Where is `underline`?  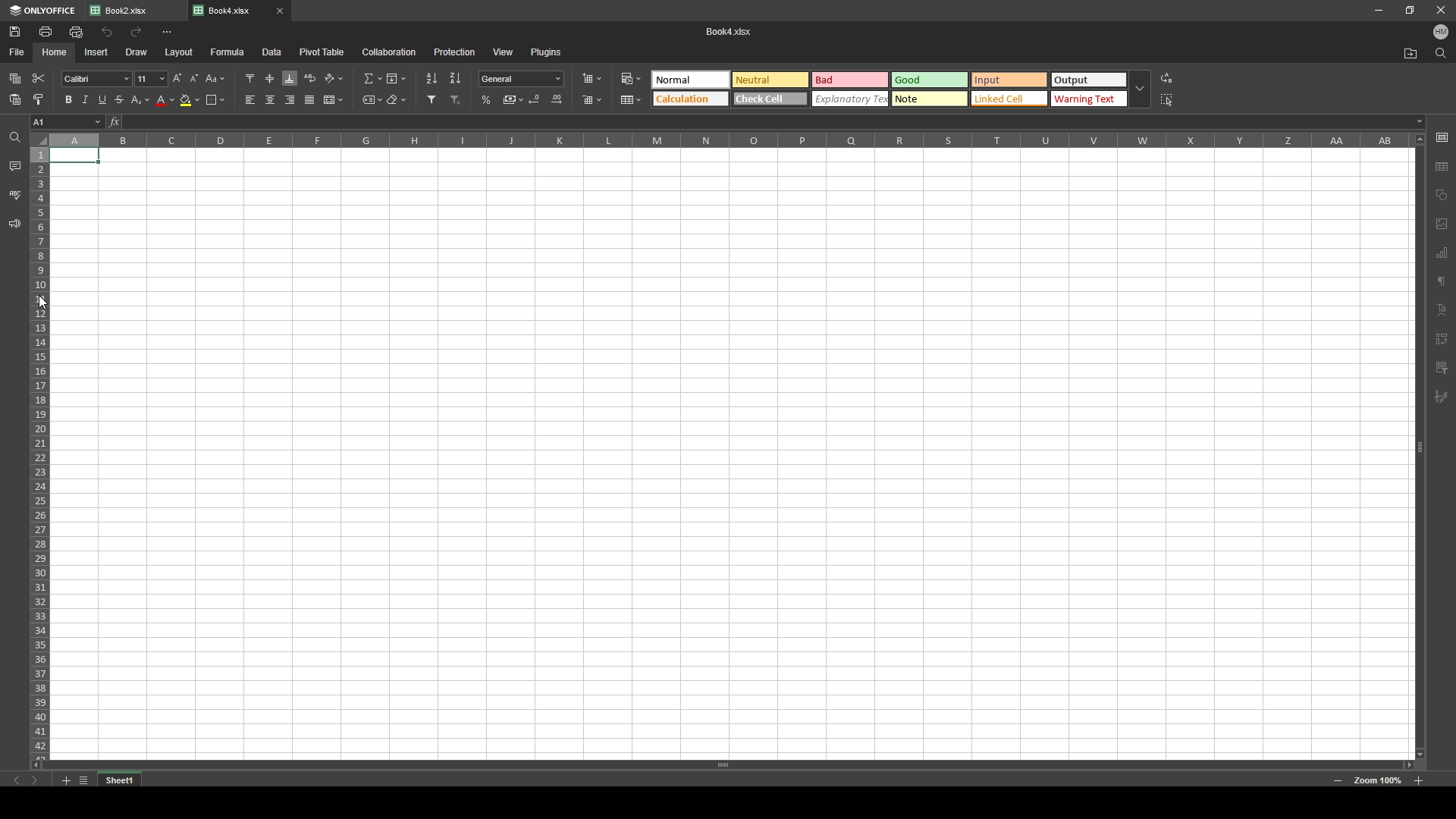
underline is located at coordinates (100, 101).